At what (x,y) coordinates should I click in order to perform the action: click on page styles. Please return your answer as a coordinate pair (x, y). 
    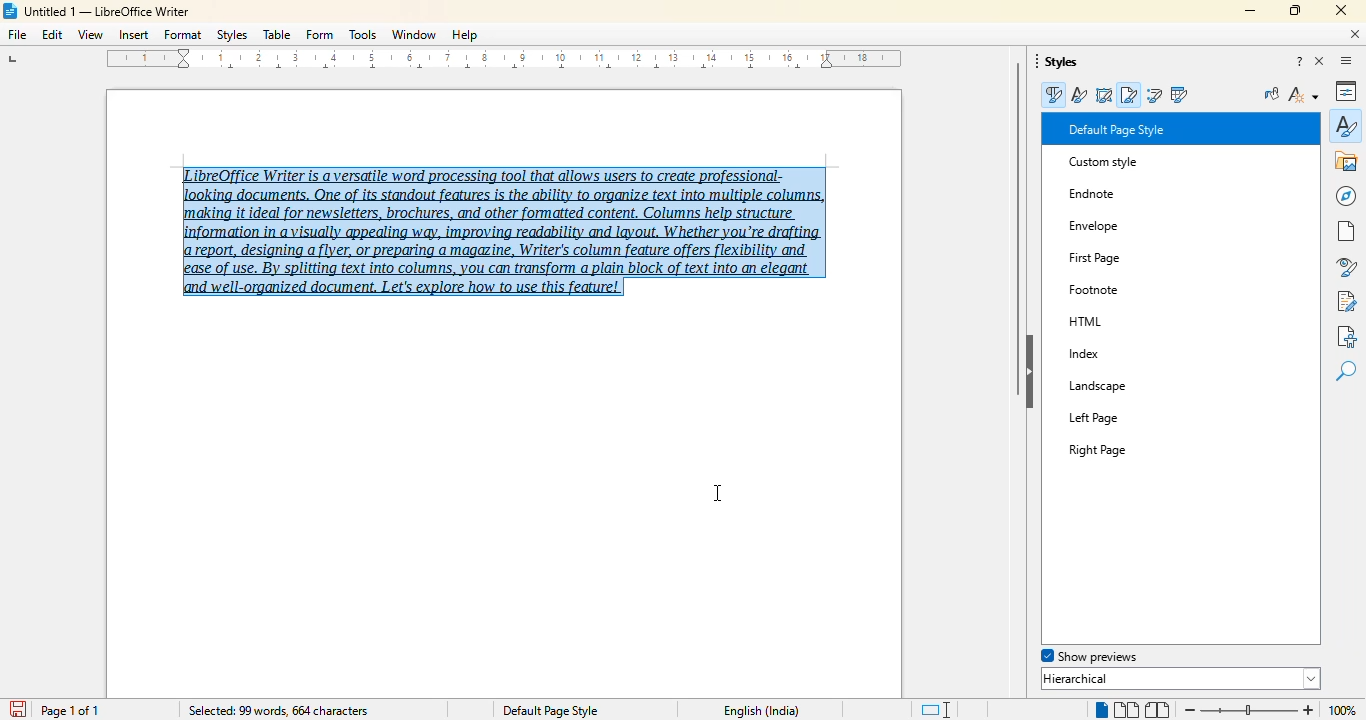
    Looking at the image, I should click on (1130, 94).